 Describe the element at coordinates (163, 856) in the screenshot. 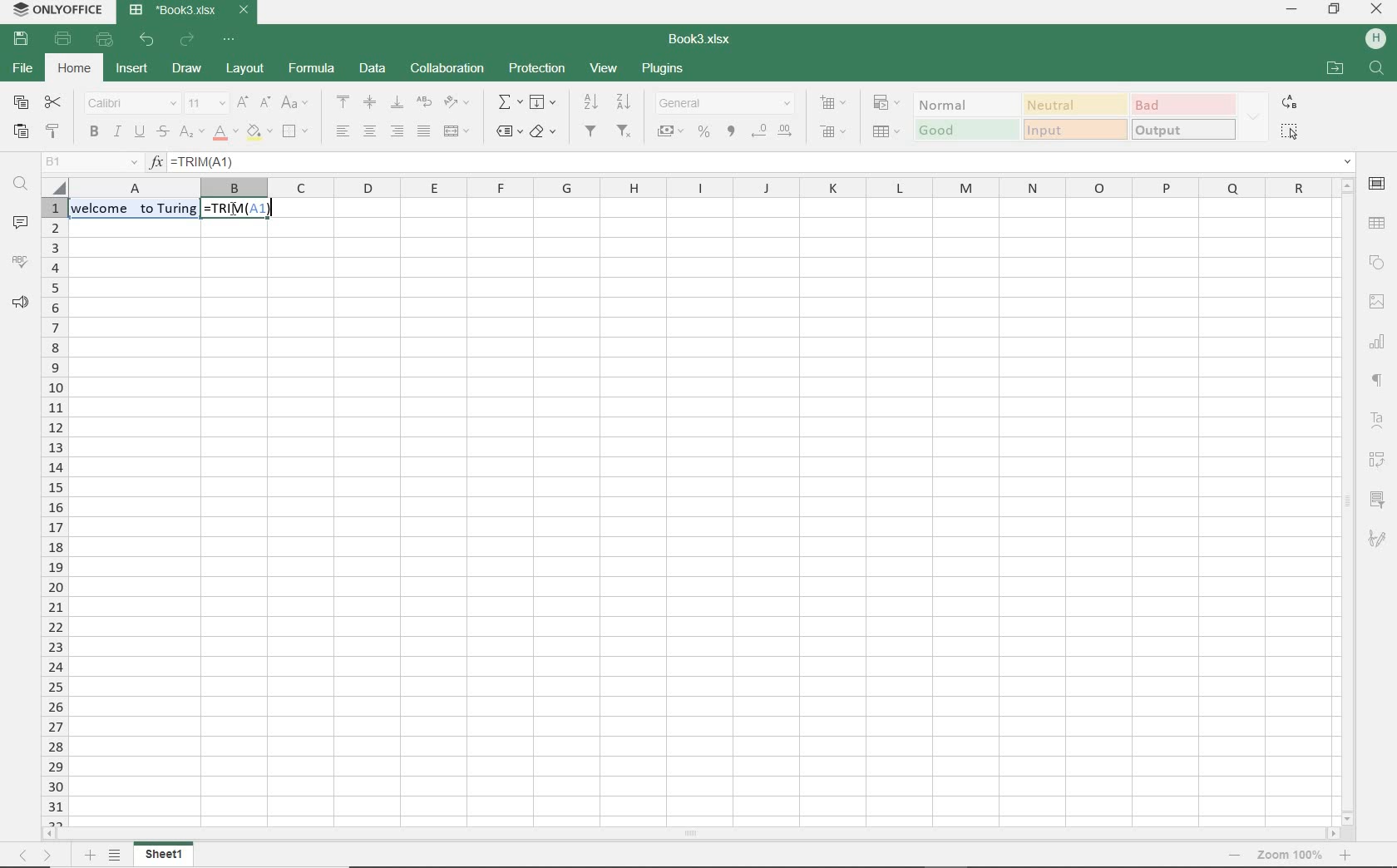

I see `sheet1` at that location.